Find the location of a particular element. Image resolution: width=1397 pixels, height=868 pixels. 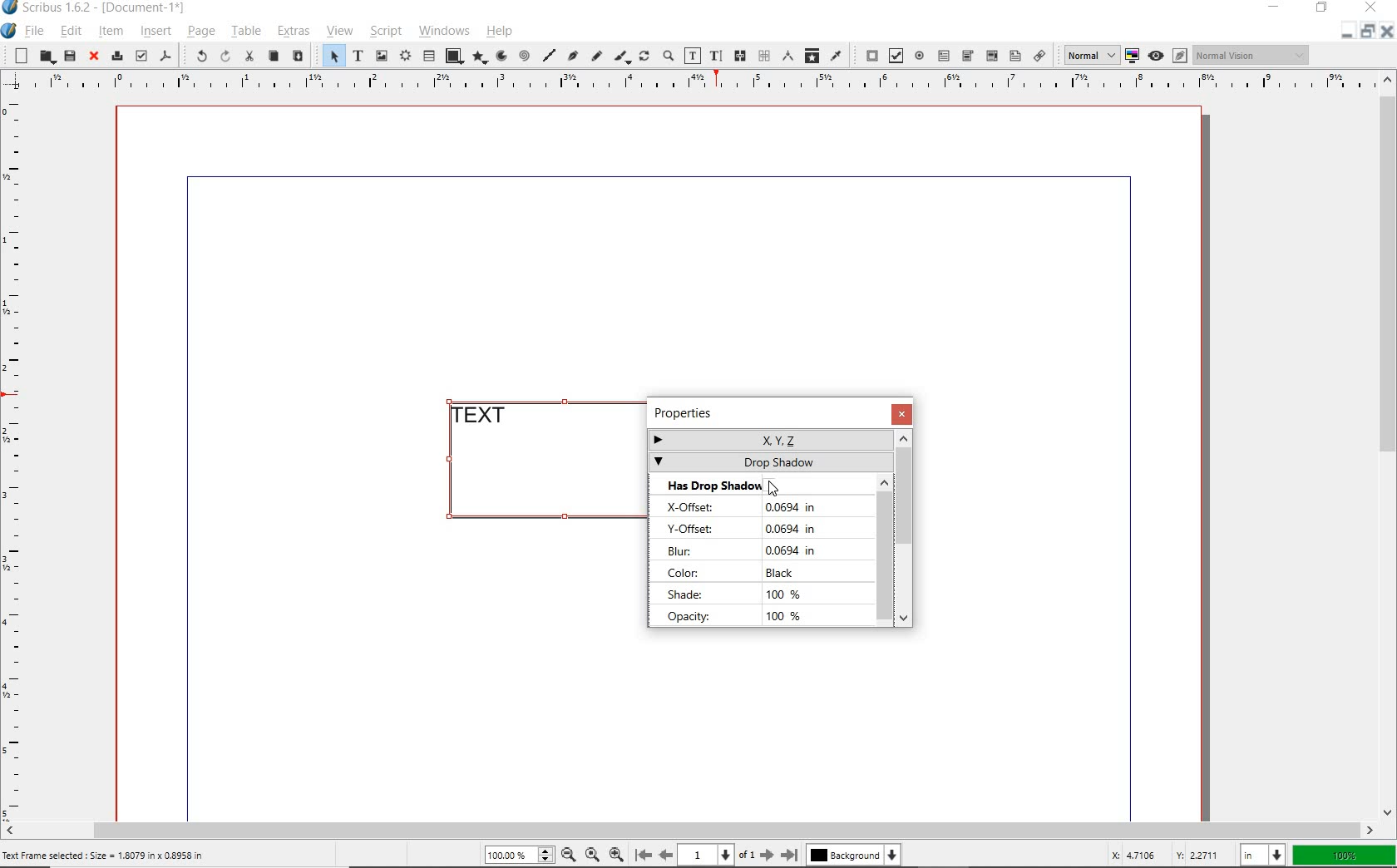

Cursor Position is located at coordinates (773, 486).